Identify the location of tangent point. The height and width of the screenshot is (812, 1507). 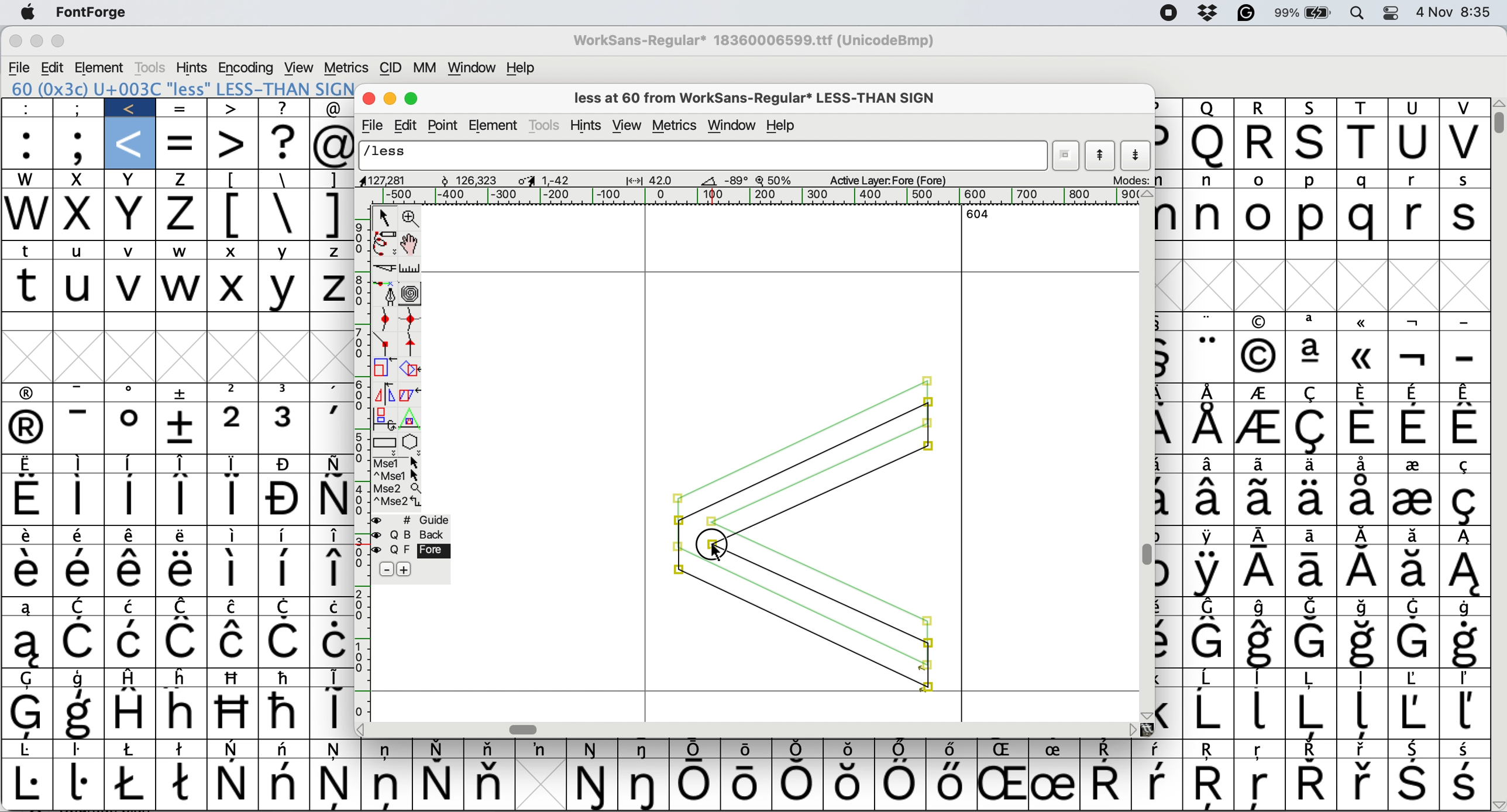
(414, 344).